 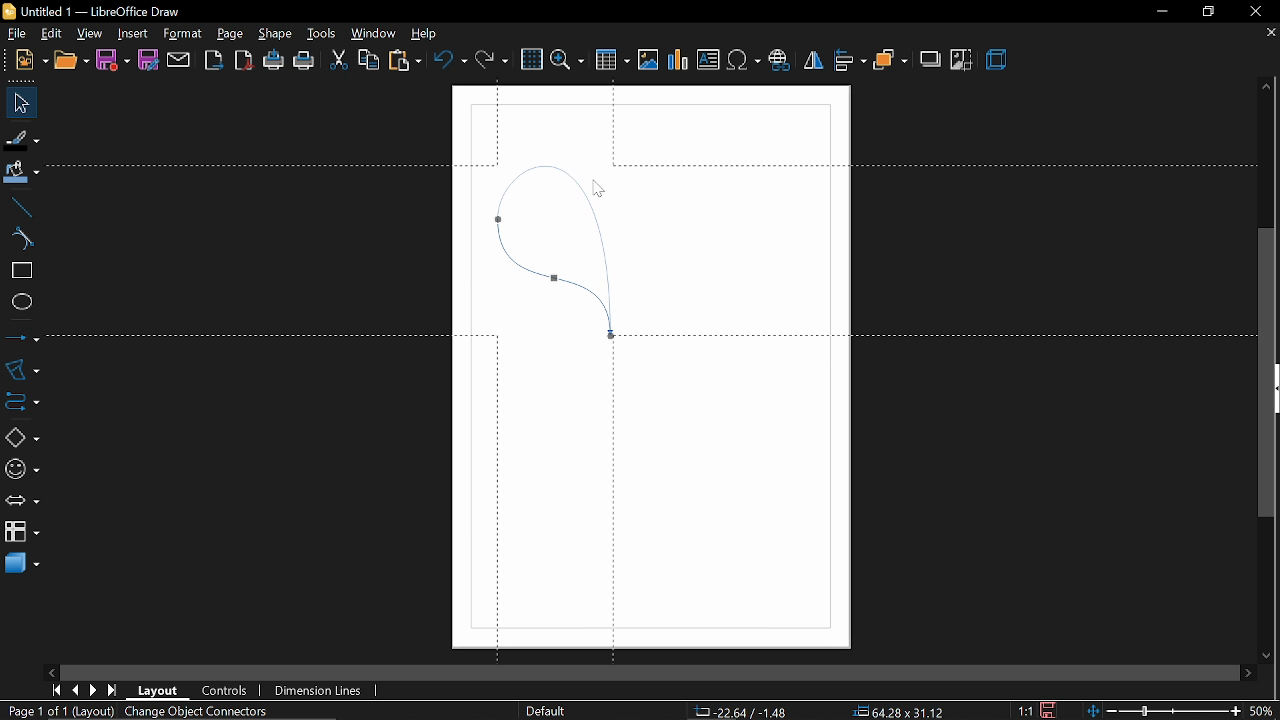 What do you see at coordinates (22, 337) in the screenshot?
I see `lines and arrows` at bounding box center [22, 337].